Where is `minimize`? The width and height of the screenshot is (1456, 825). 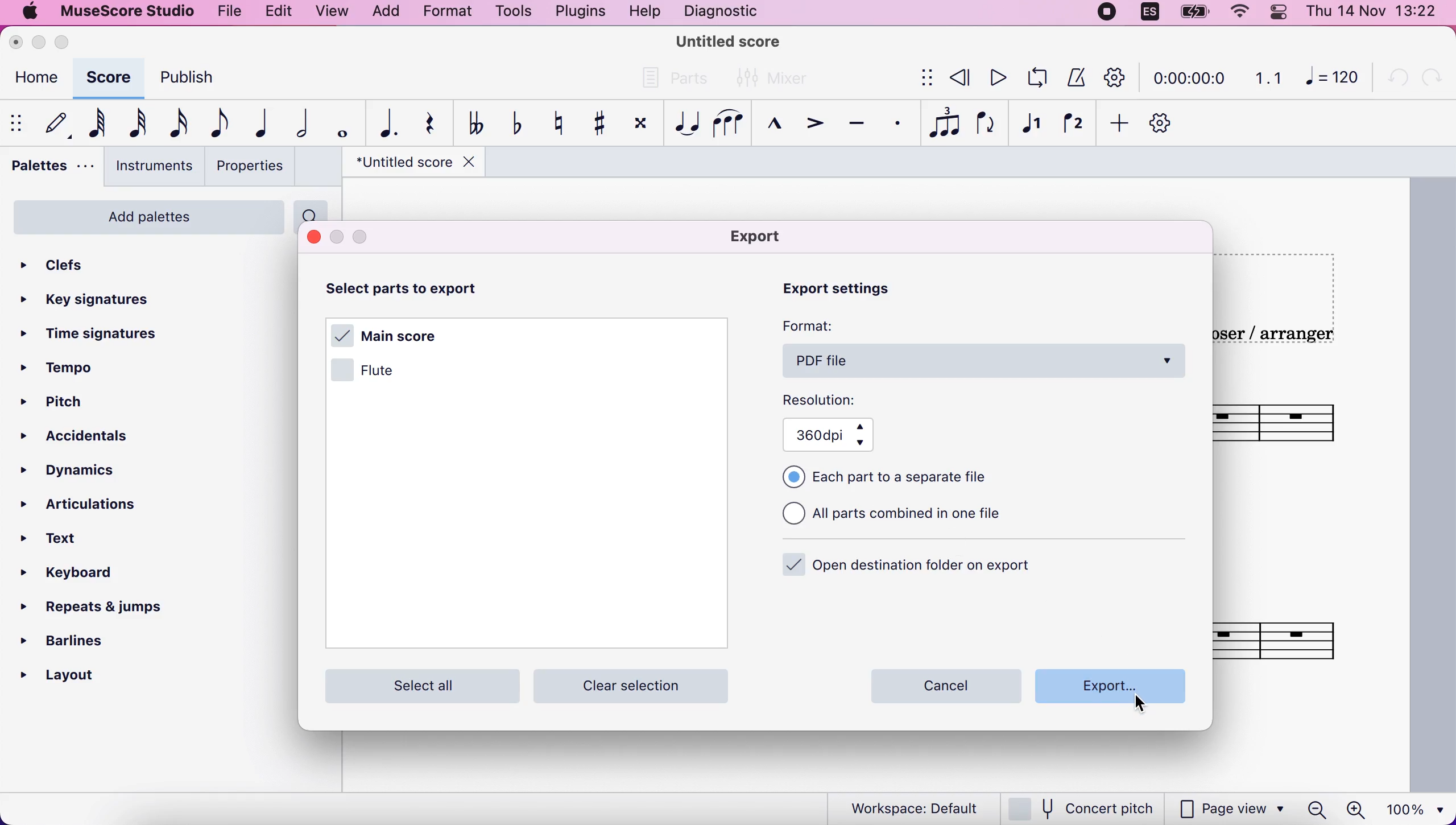
minimize is located at coordinates (40, 43).